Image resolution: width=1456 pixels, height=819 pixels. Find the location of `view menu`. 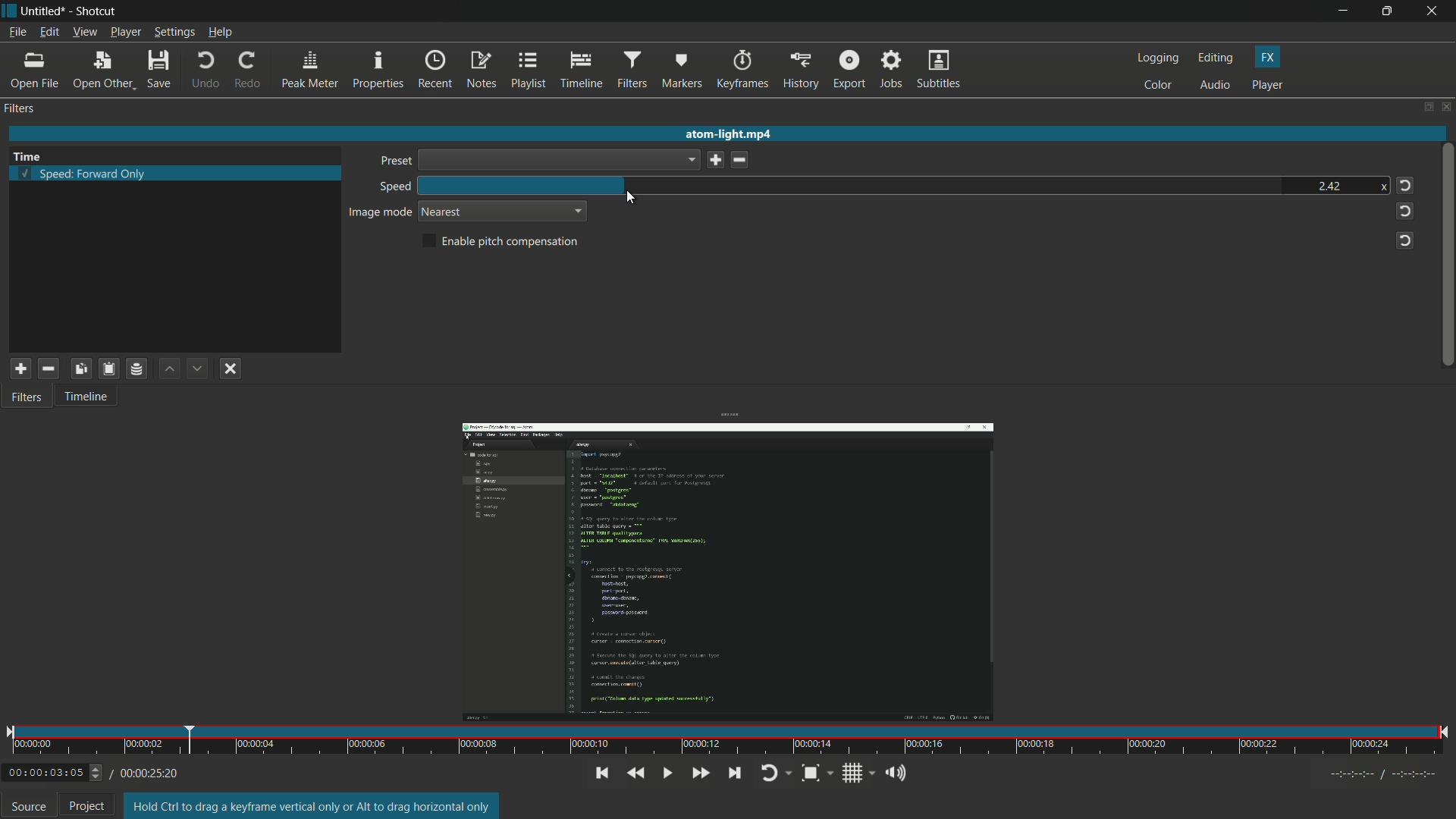

view menu is located at coordinates (83, 32).